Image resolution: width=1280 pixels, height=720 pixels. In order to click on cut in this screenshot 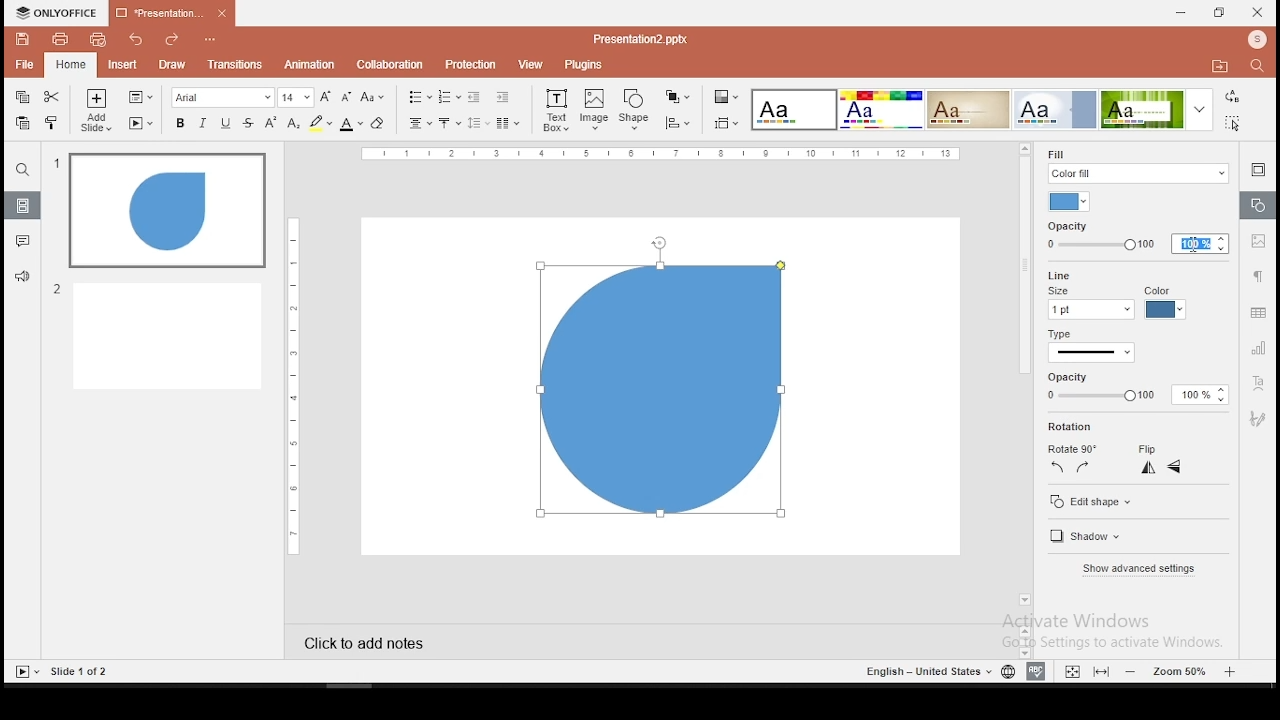, I will do `click(51, 98)`.